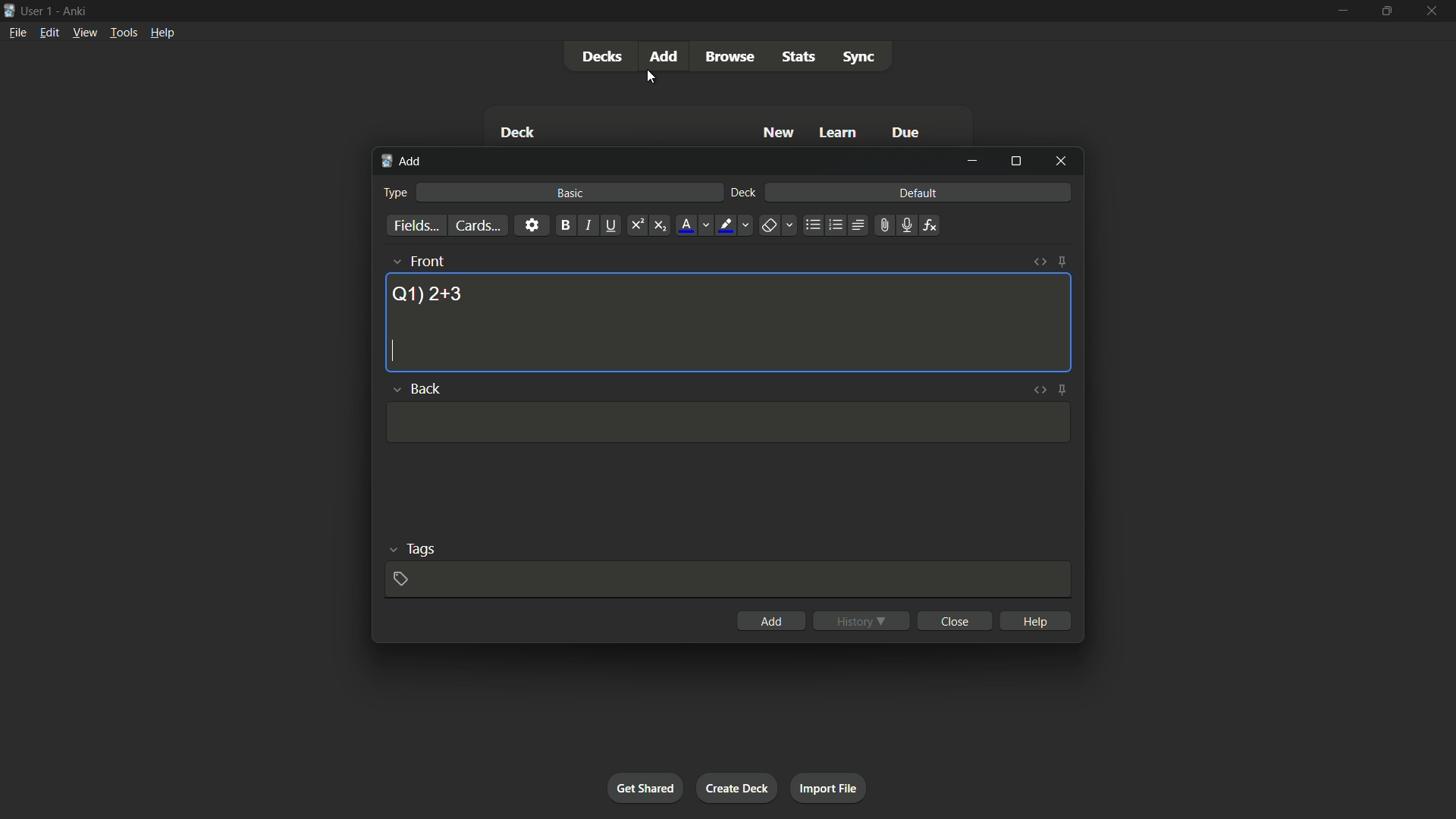 The width and height of the screenshot is (1456, 819). Describe the element at coordinates (905, 226) in the screenshot. I see `record audio` at that location.